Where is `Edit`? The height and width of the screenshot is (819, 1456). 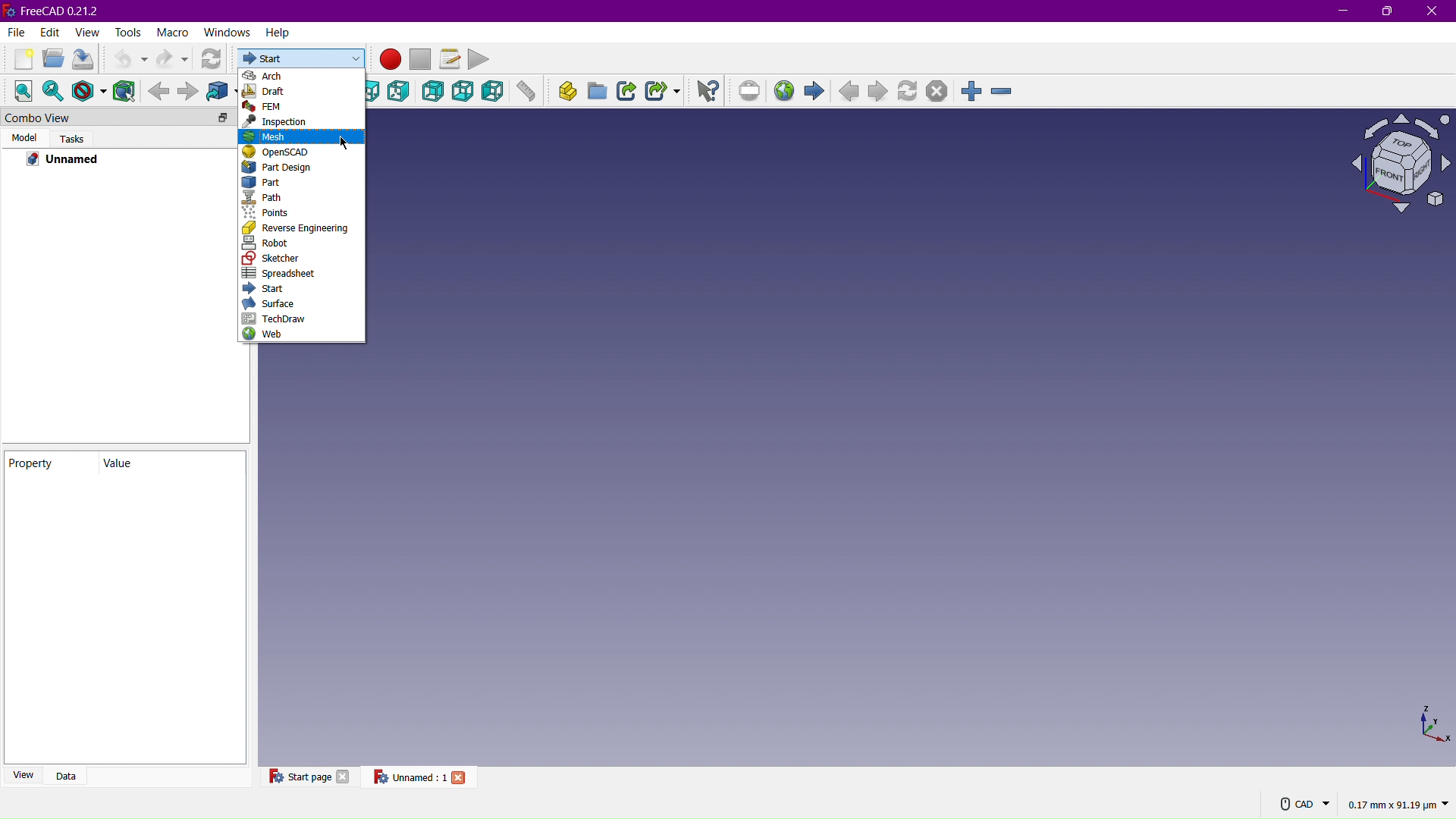 Edit is located at coordinates (48, 32).